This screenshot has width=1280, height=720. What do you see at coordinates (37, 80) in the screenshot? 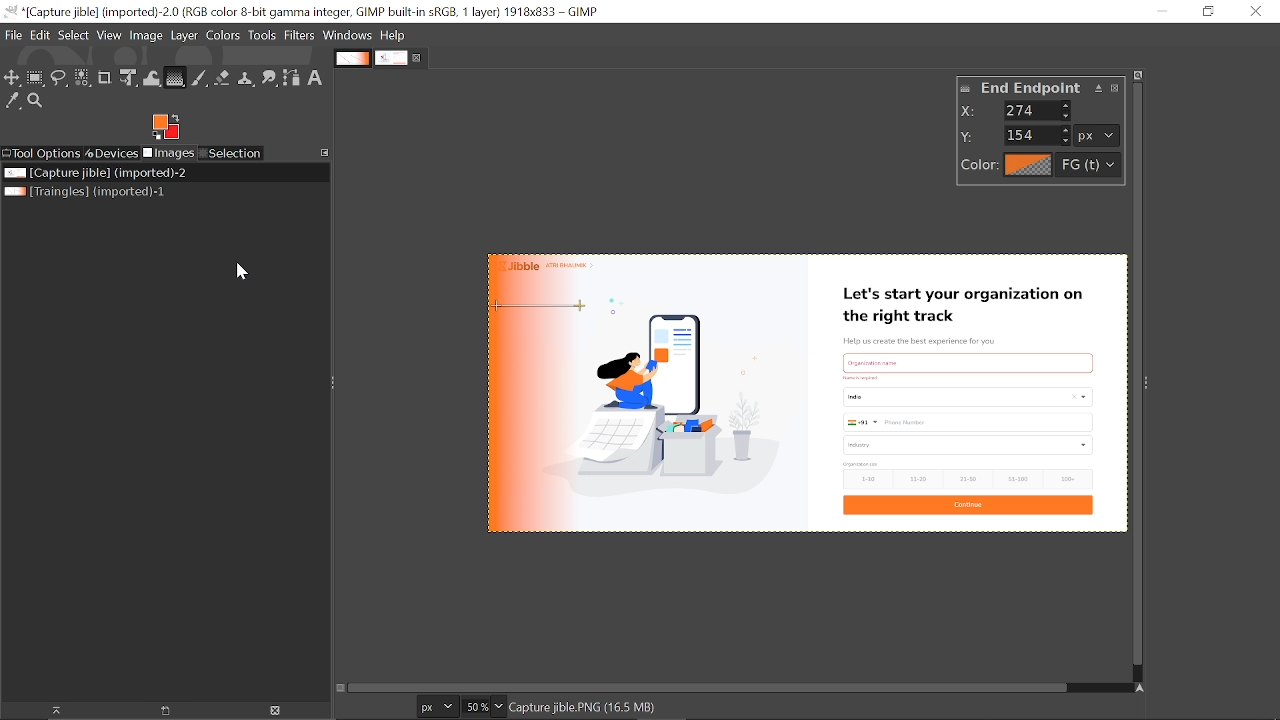
I see `Rectangular tool` at bounding box center [37, 80].